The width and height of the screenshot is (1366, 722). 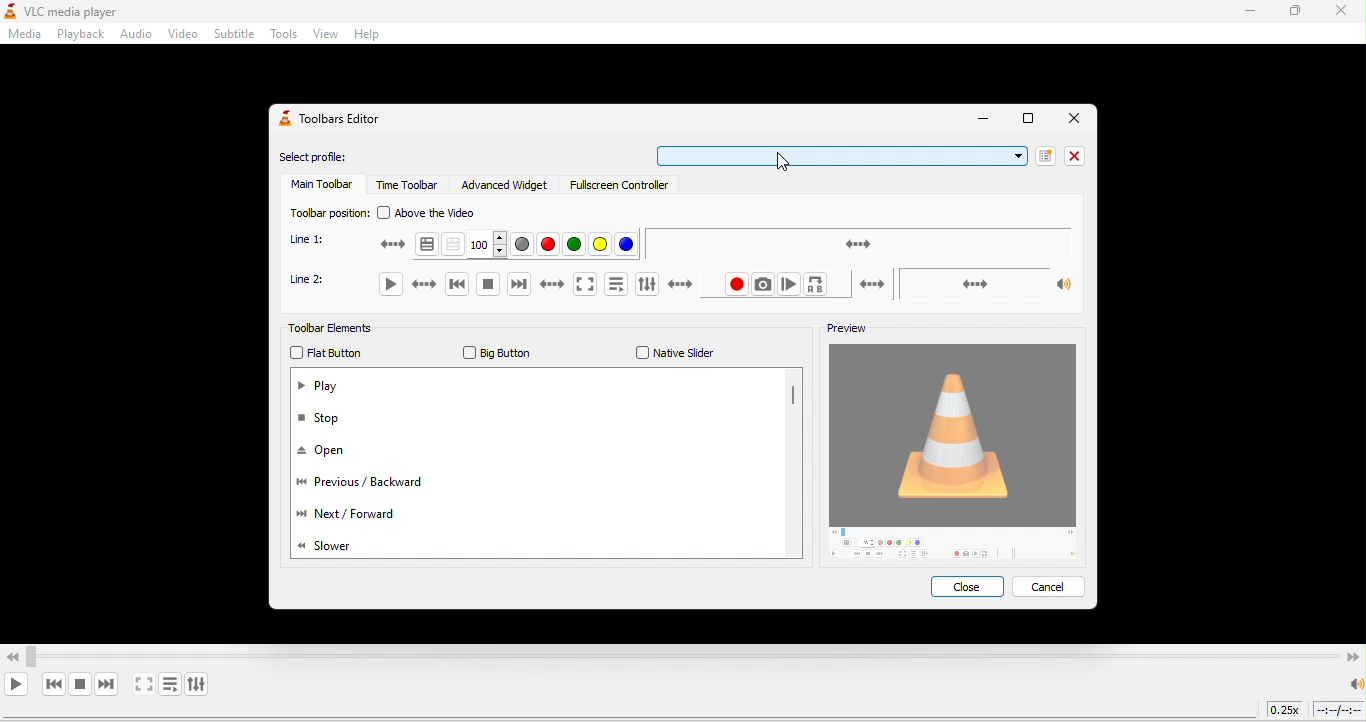 I want to click on previous/backward, so click(x=368, y=486).